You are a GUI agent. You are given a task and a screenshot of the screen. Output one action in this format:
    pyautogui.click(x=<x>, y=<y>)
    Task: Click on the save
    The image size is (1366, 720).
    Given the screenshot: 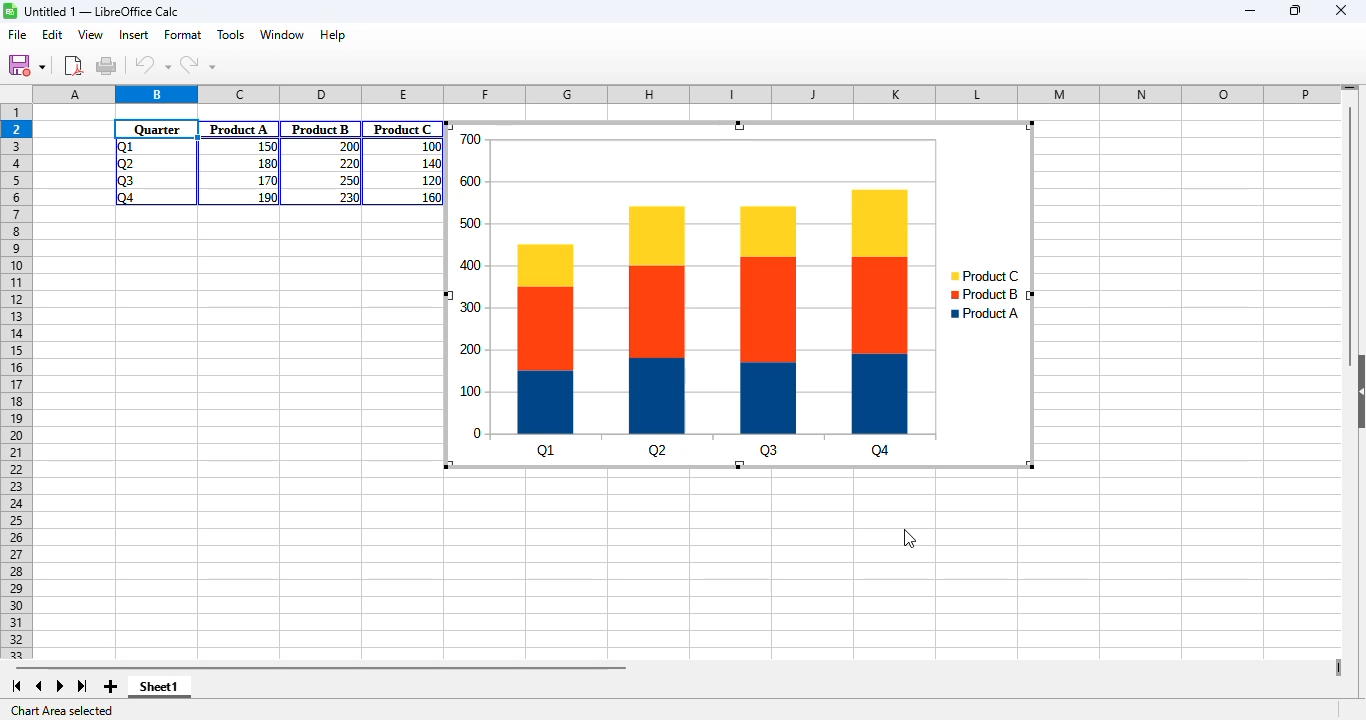 What is the action you would take?
    pyautogui.click(x=26, y=65)
    